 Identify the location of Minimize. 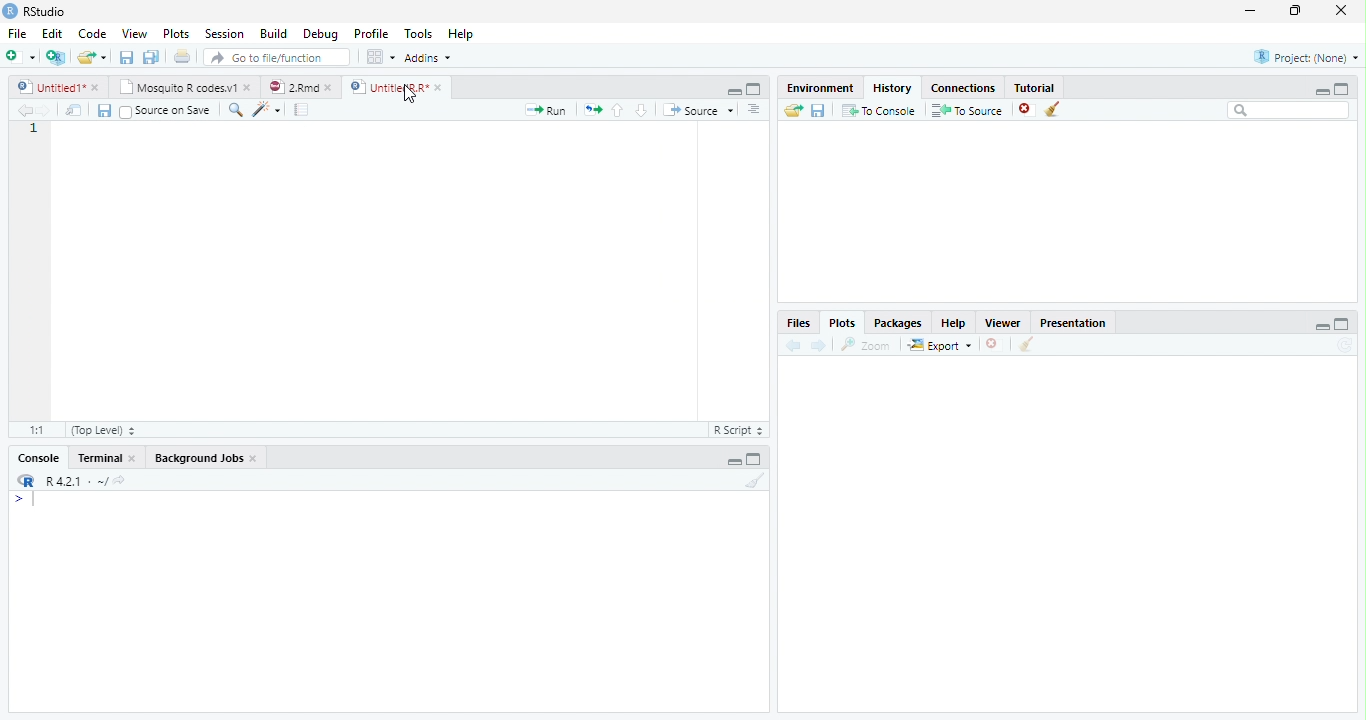
(1321, 92).